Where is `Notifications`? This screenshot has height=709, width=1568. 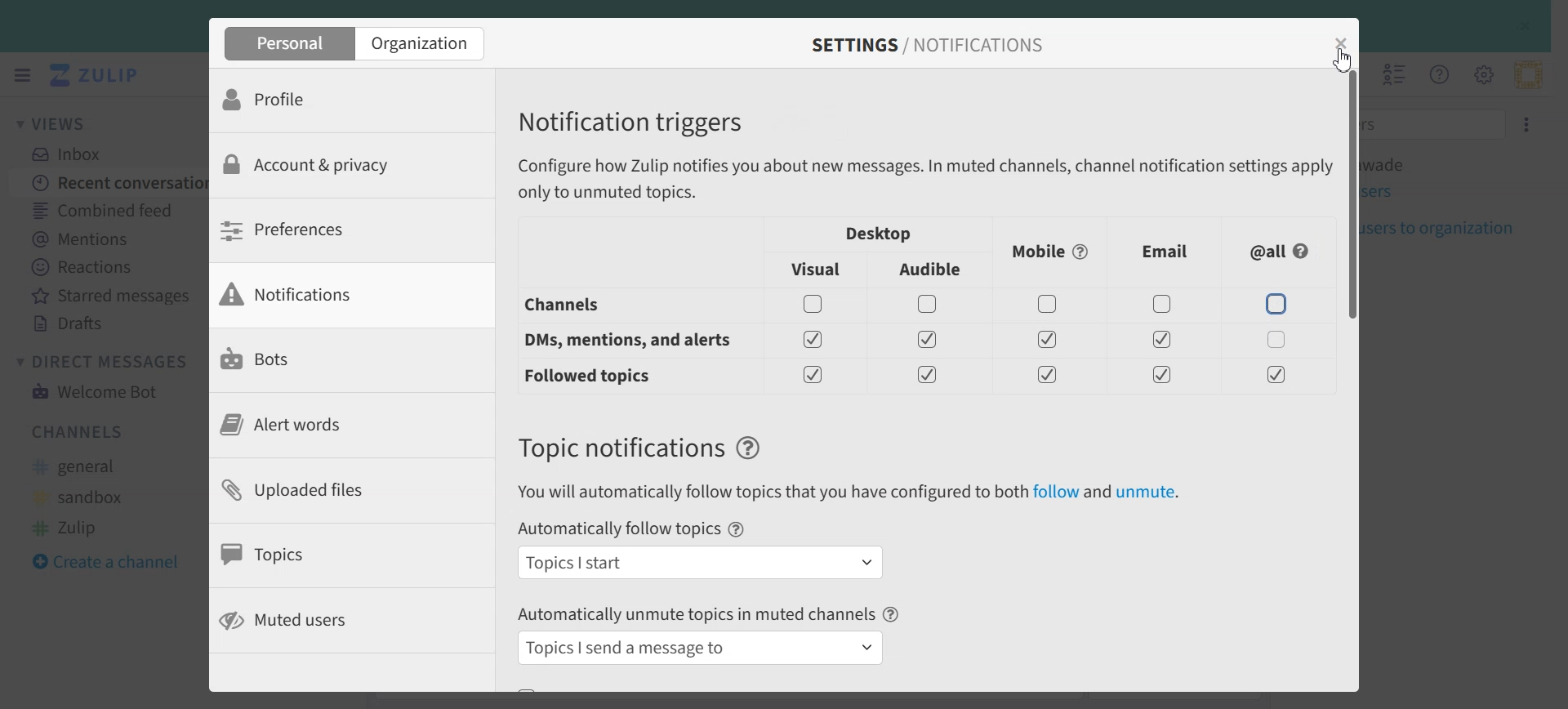 Notifications is located at coordinates (330, 295).